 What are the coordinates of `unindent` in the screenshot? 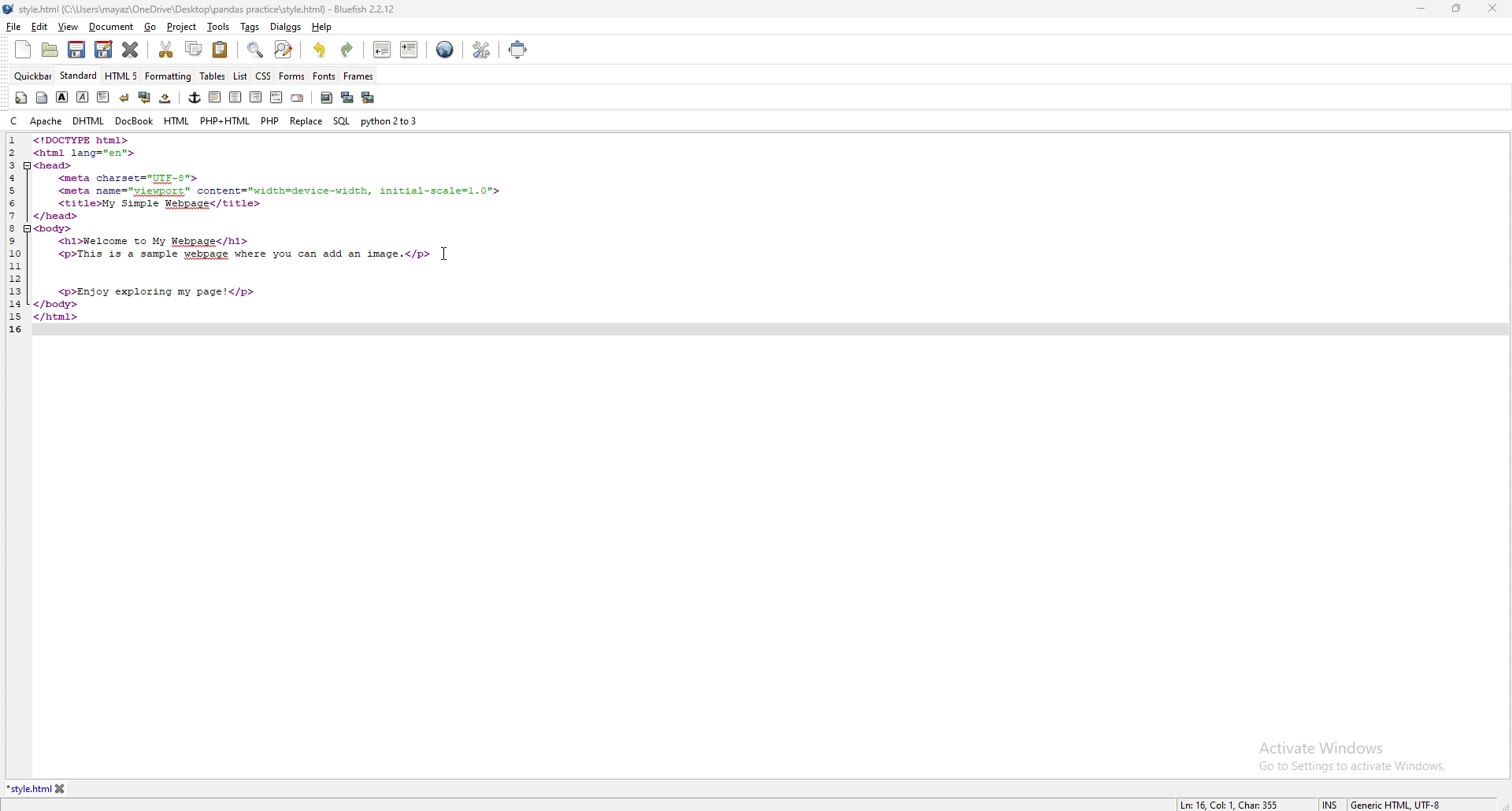 It's located at (381, 50).